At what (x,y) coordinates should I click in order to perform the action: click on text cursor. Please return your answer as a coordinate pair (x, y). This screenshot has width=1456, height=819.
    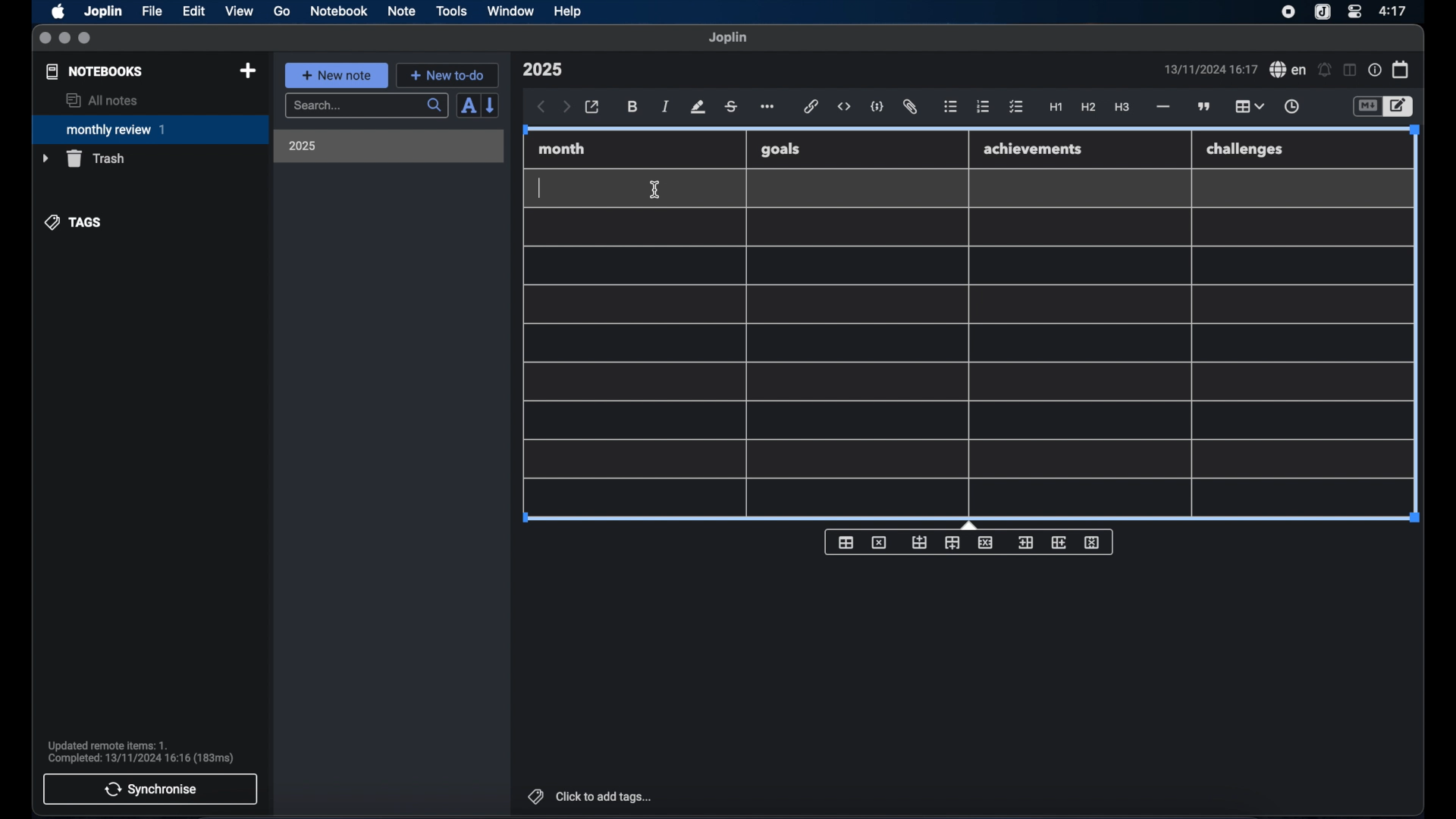
    Looking at the image, I should click on (541, 188).